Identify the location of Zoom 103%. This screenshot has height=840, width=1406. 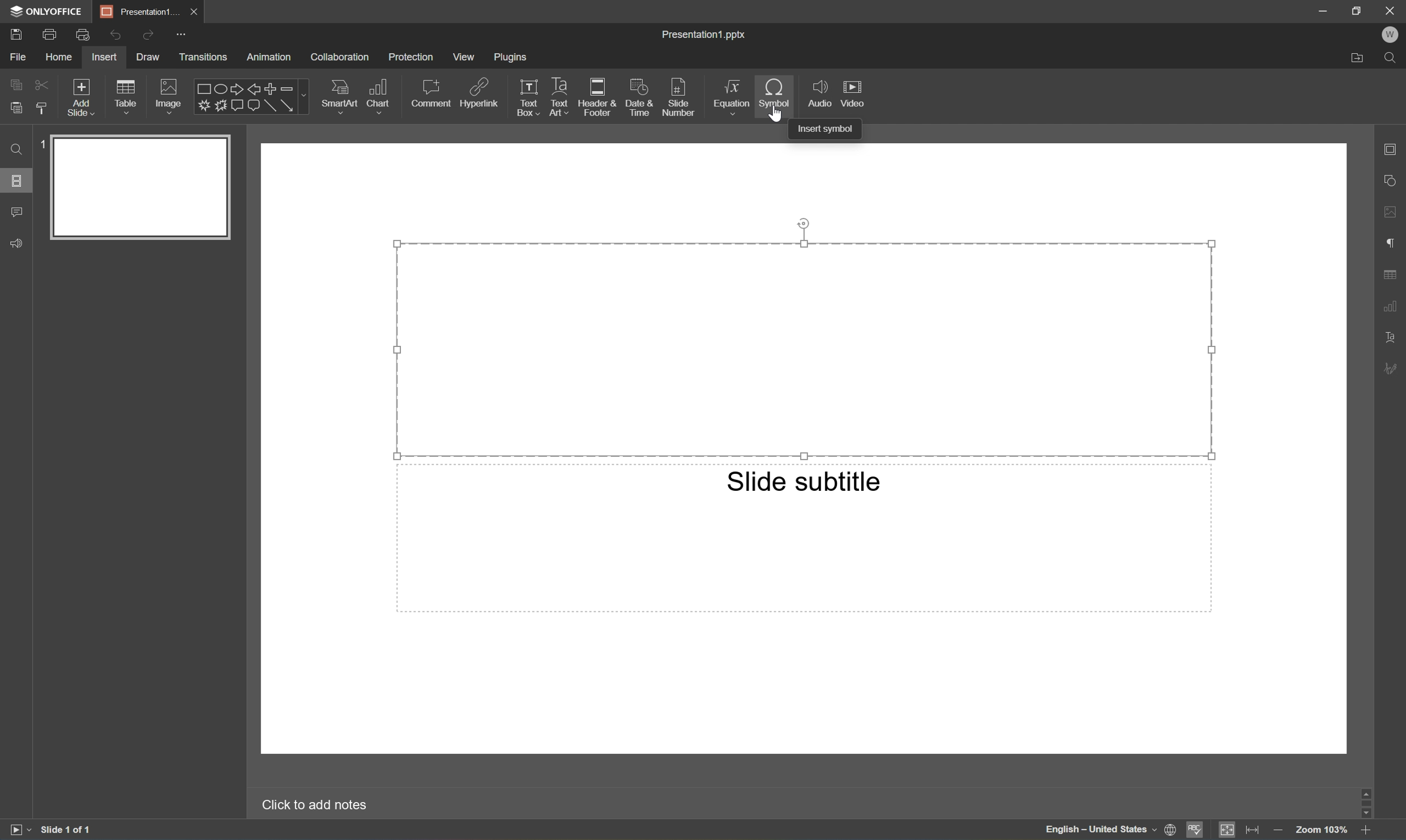
(1323, 832).